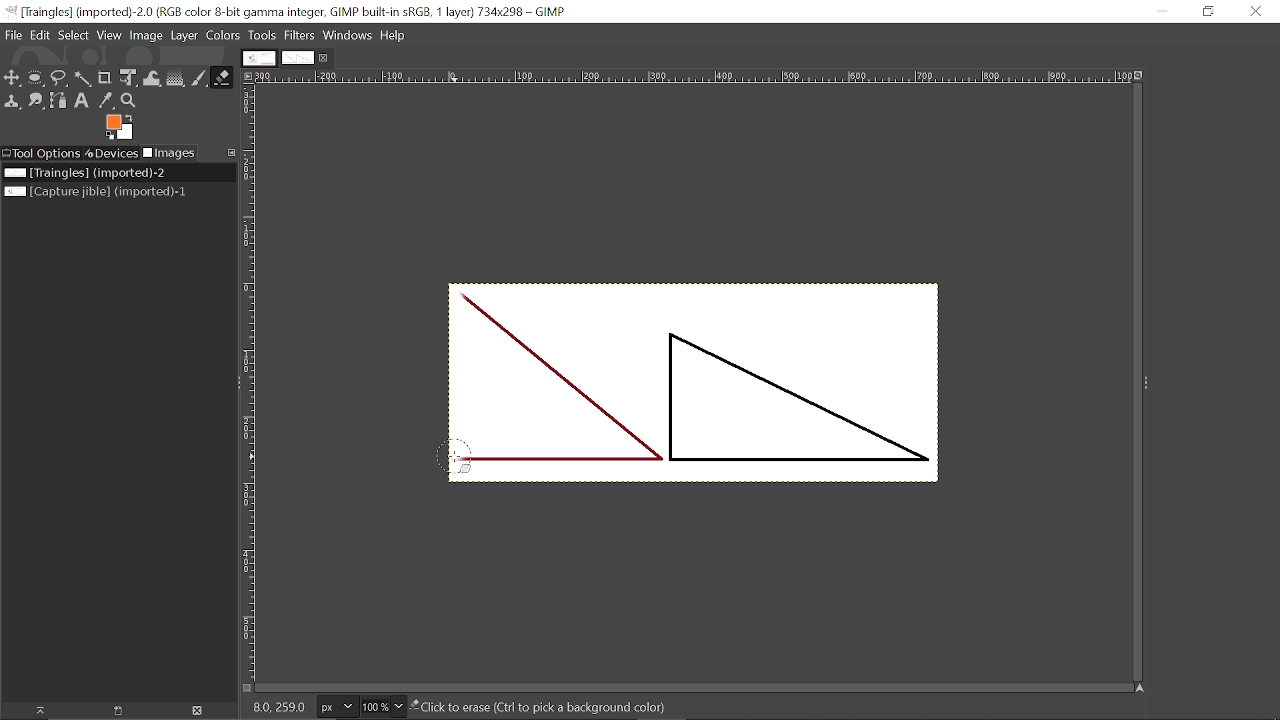  I want to click on Devices, so click(111, 153).